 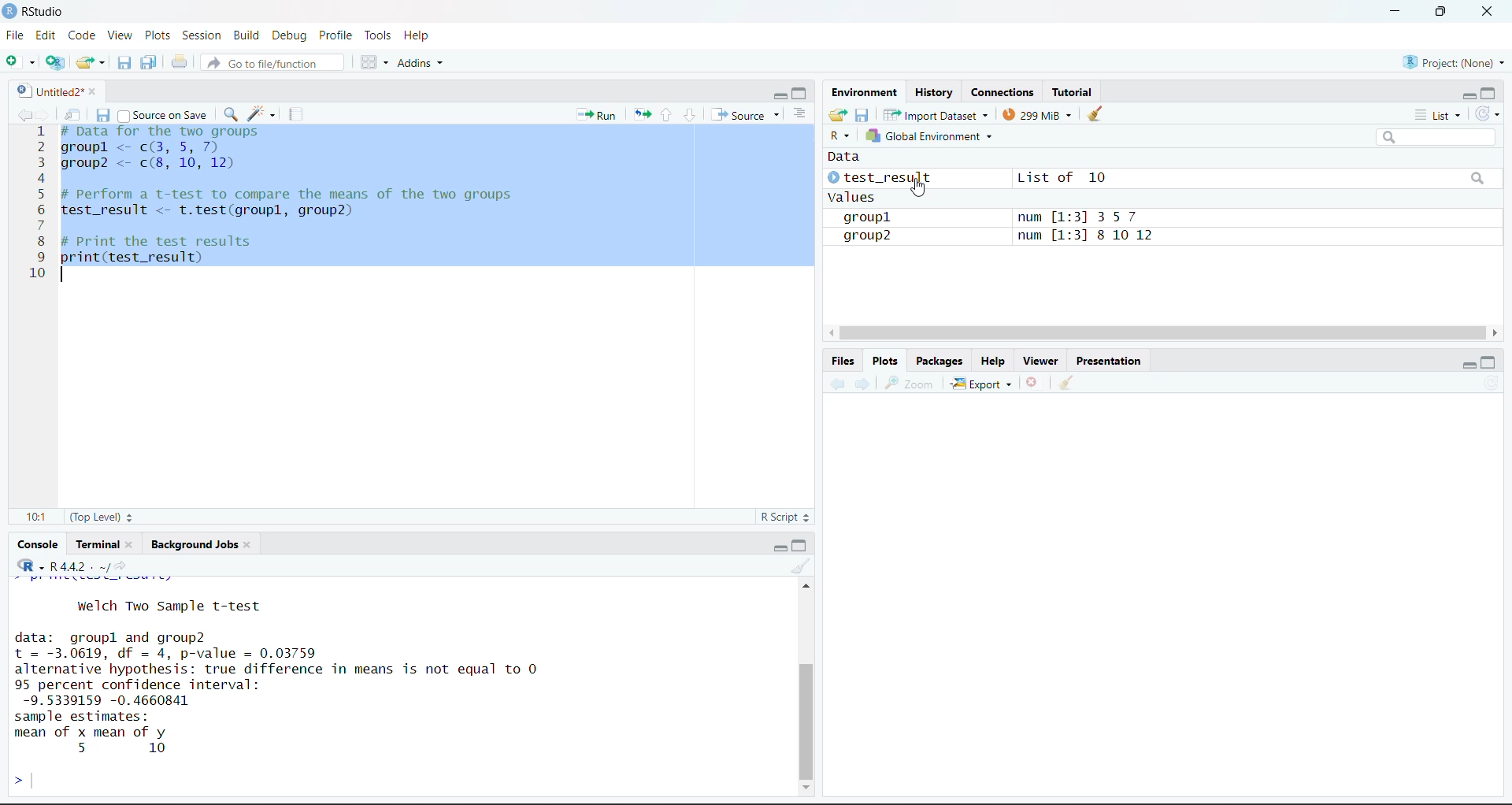 I want to click on Presentation, so click(x=1110, y=361).